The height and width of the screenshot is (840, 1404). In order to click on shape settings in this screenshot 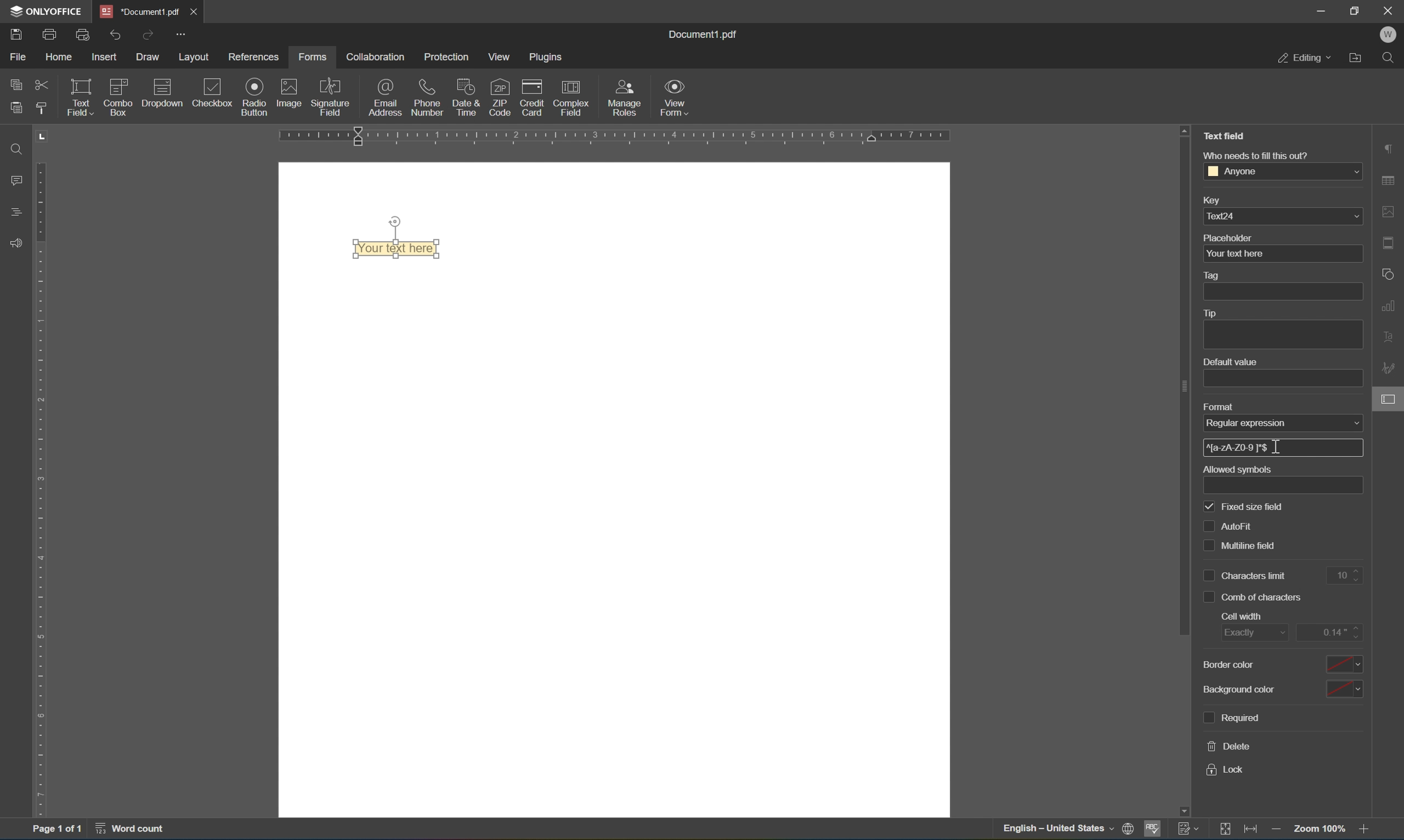, I will do `click(1390, 273)`.